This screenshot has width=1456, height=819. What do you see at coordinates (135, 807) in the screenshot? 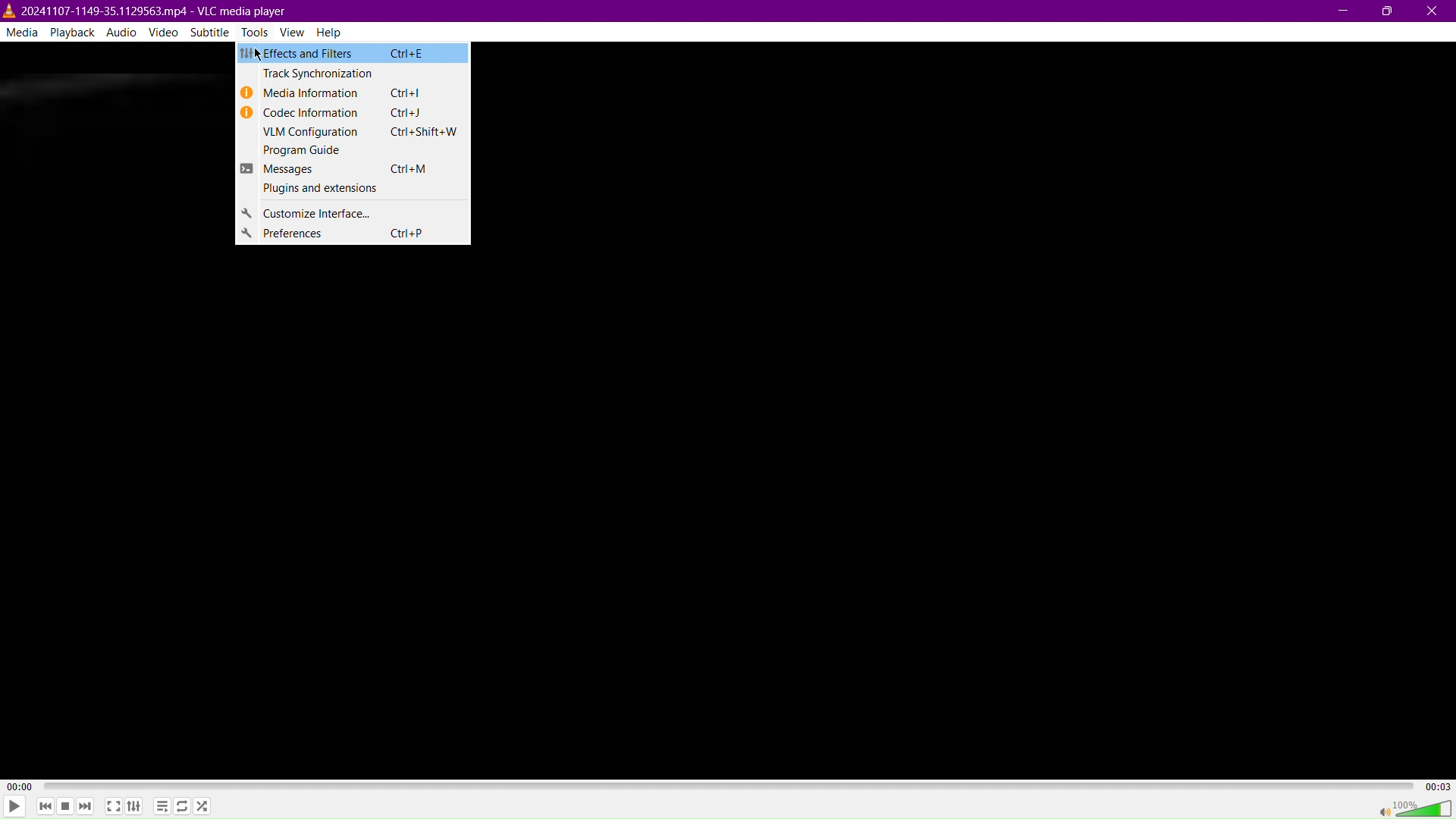
I see `Extended Settings` at bounding box center [135, 807].